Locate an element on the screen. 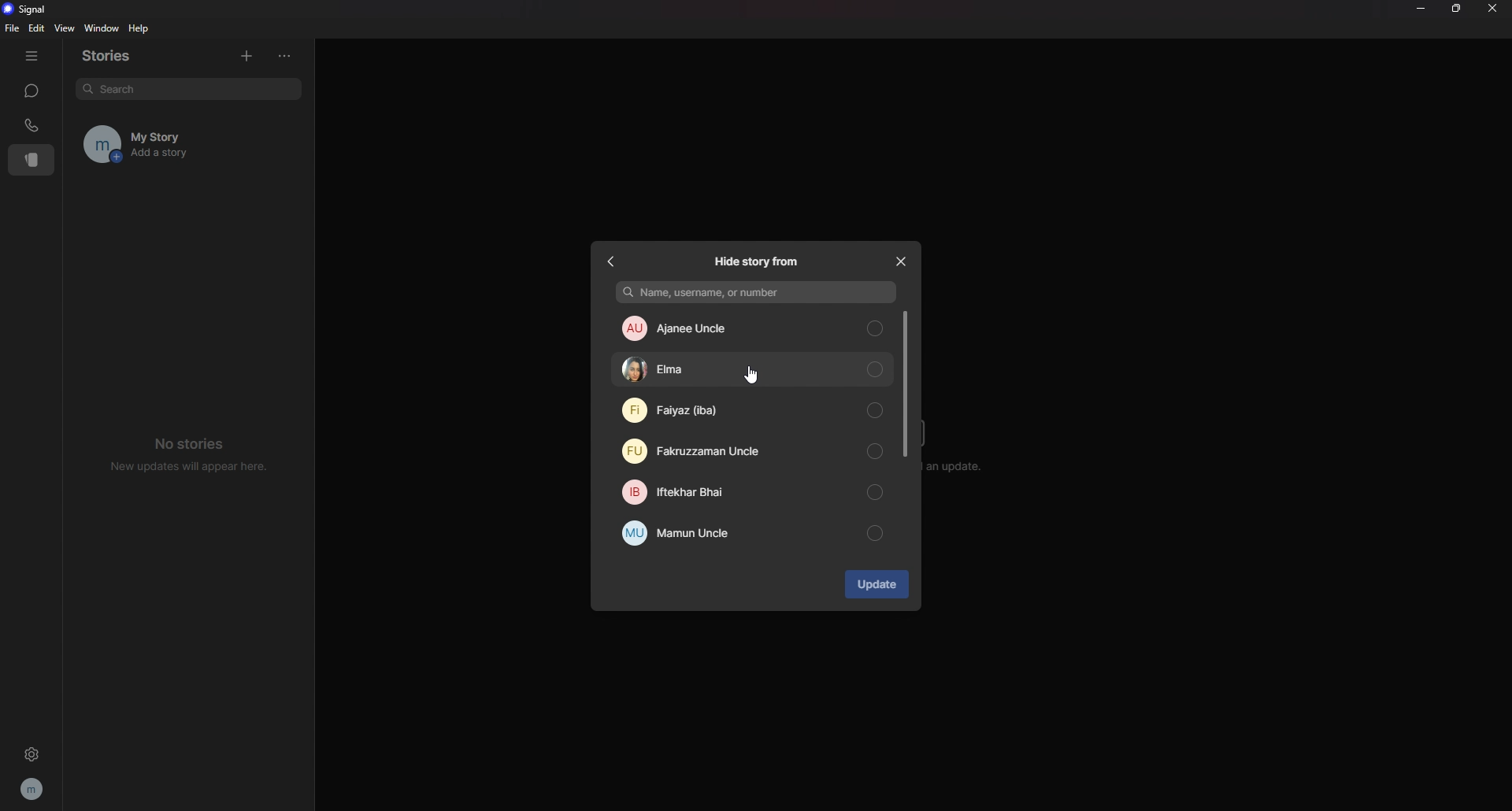  mamun uncle is located at coordinates (752, 535).